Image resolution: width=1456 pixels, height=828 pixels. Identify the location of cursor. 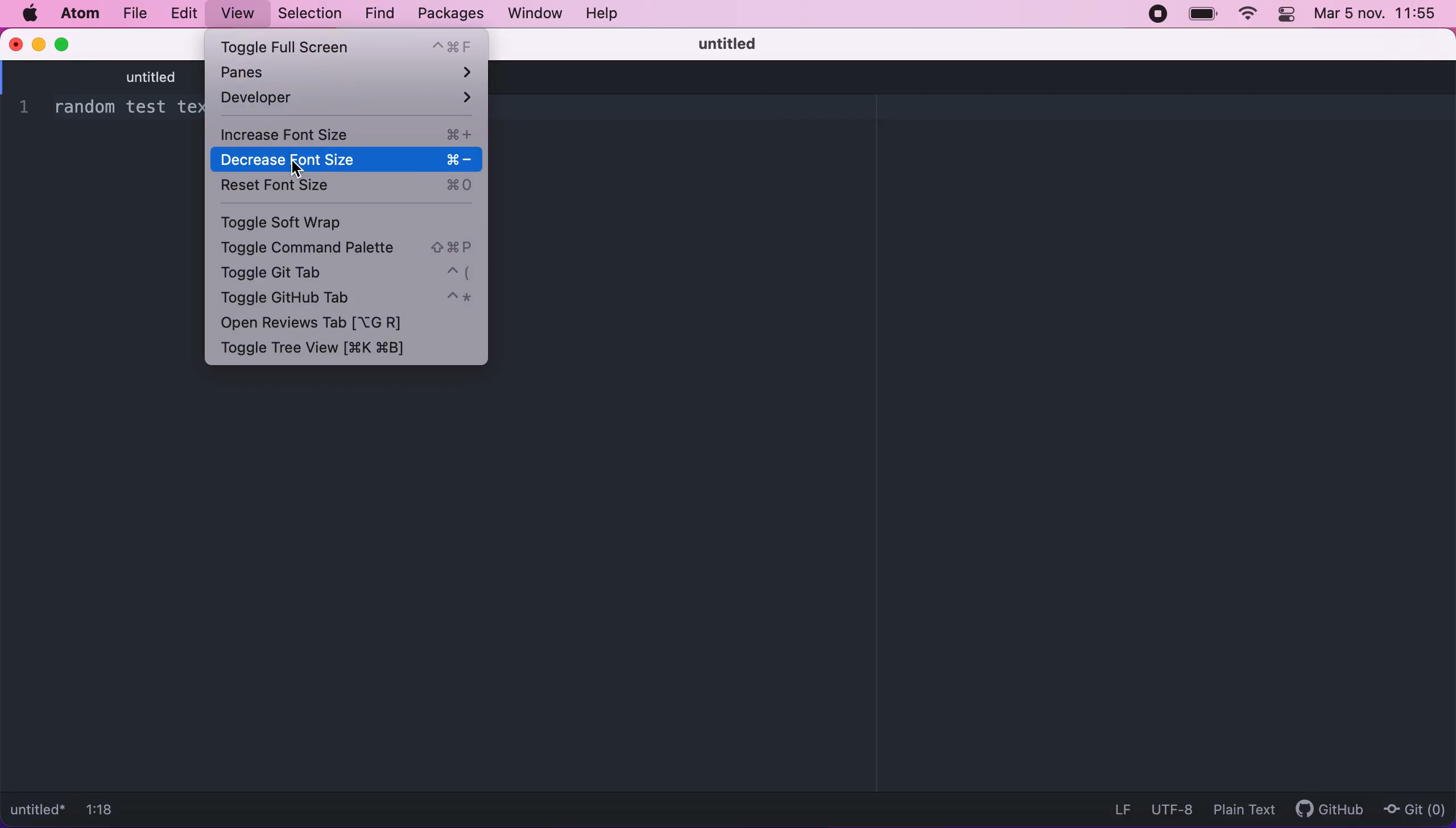
(292, 164).